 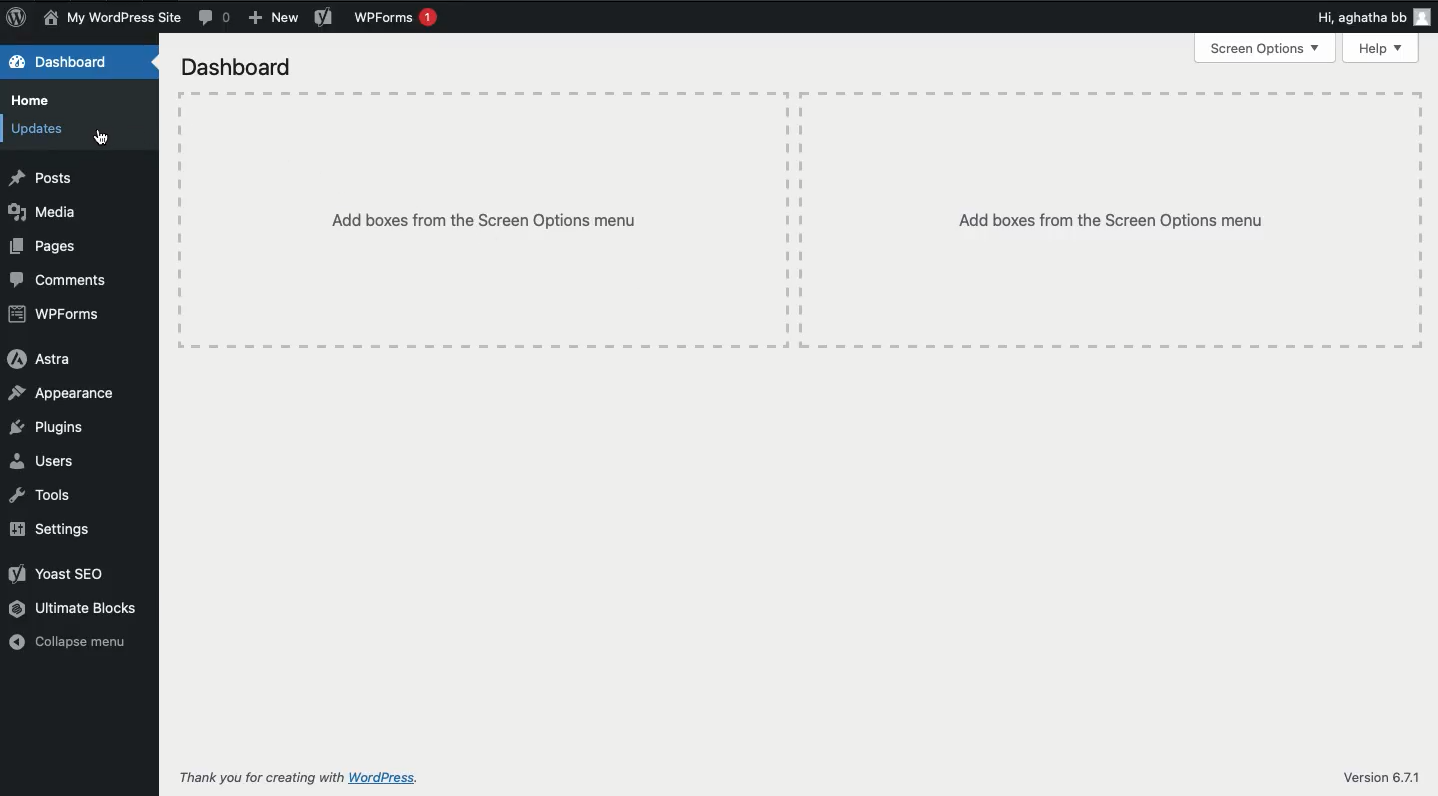 I want to click on Ultimate blocks, so click(x=75, y=609).